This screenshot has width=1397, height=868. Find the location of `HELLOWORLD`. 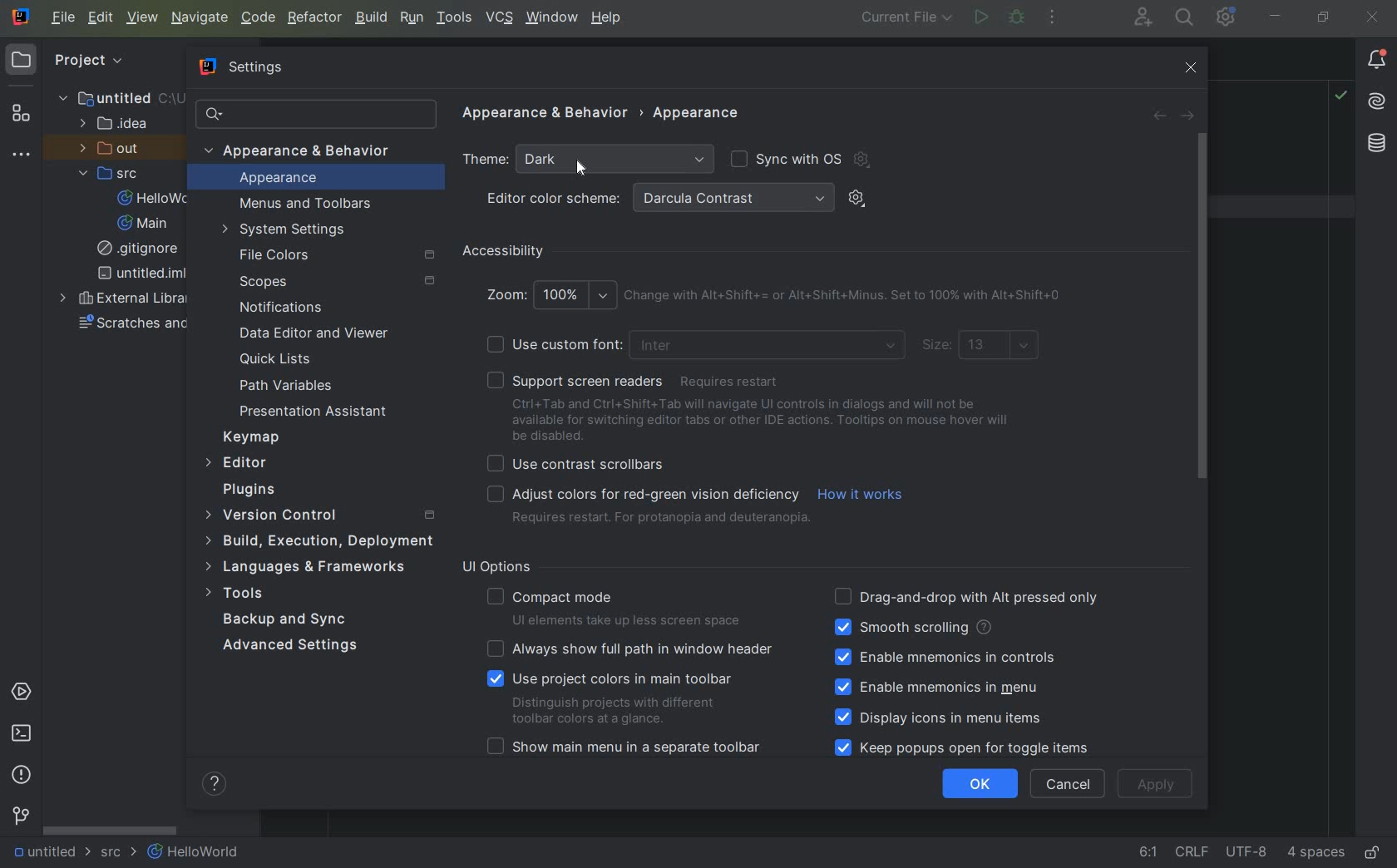

HELLOWORLD is located at coordinates (159, 199).